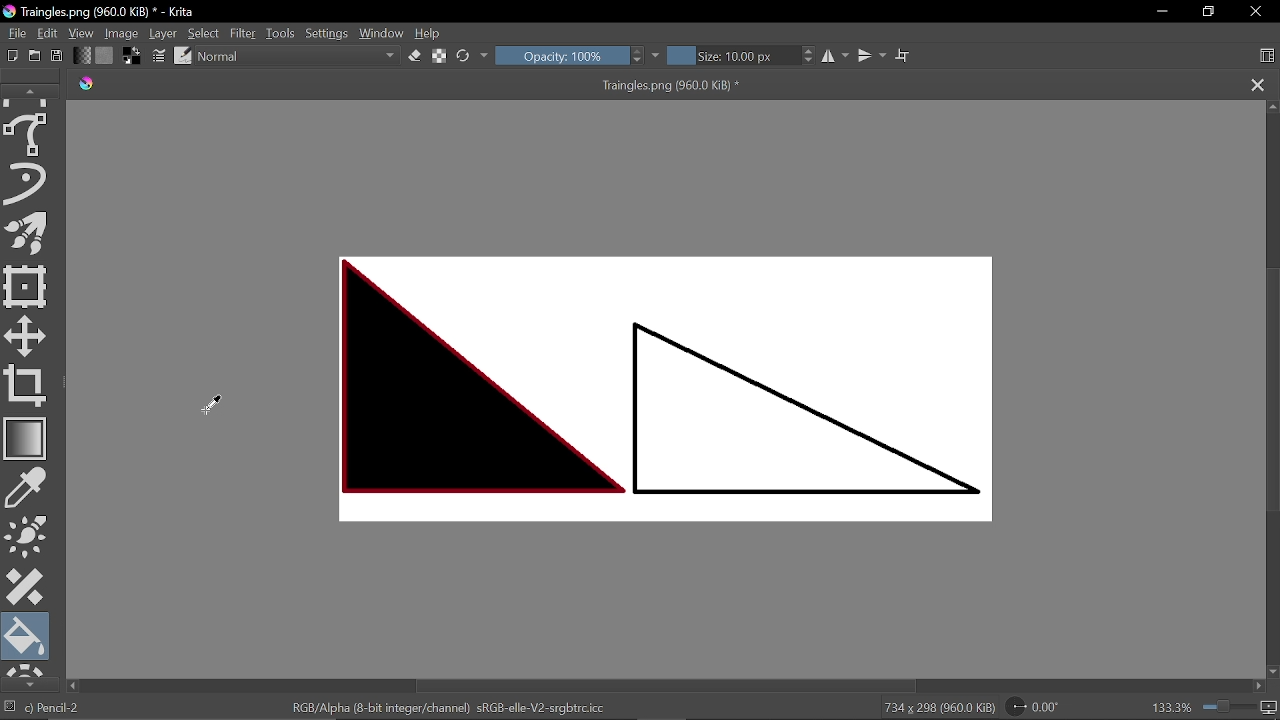 This screenshot has height=720, width=1280. Describe the element at coordinates (28, 336) in the screenshot. I see `Move a layer` at that location.